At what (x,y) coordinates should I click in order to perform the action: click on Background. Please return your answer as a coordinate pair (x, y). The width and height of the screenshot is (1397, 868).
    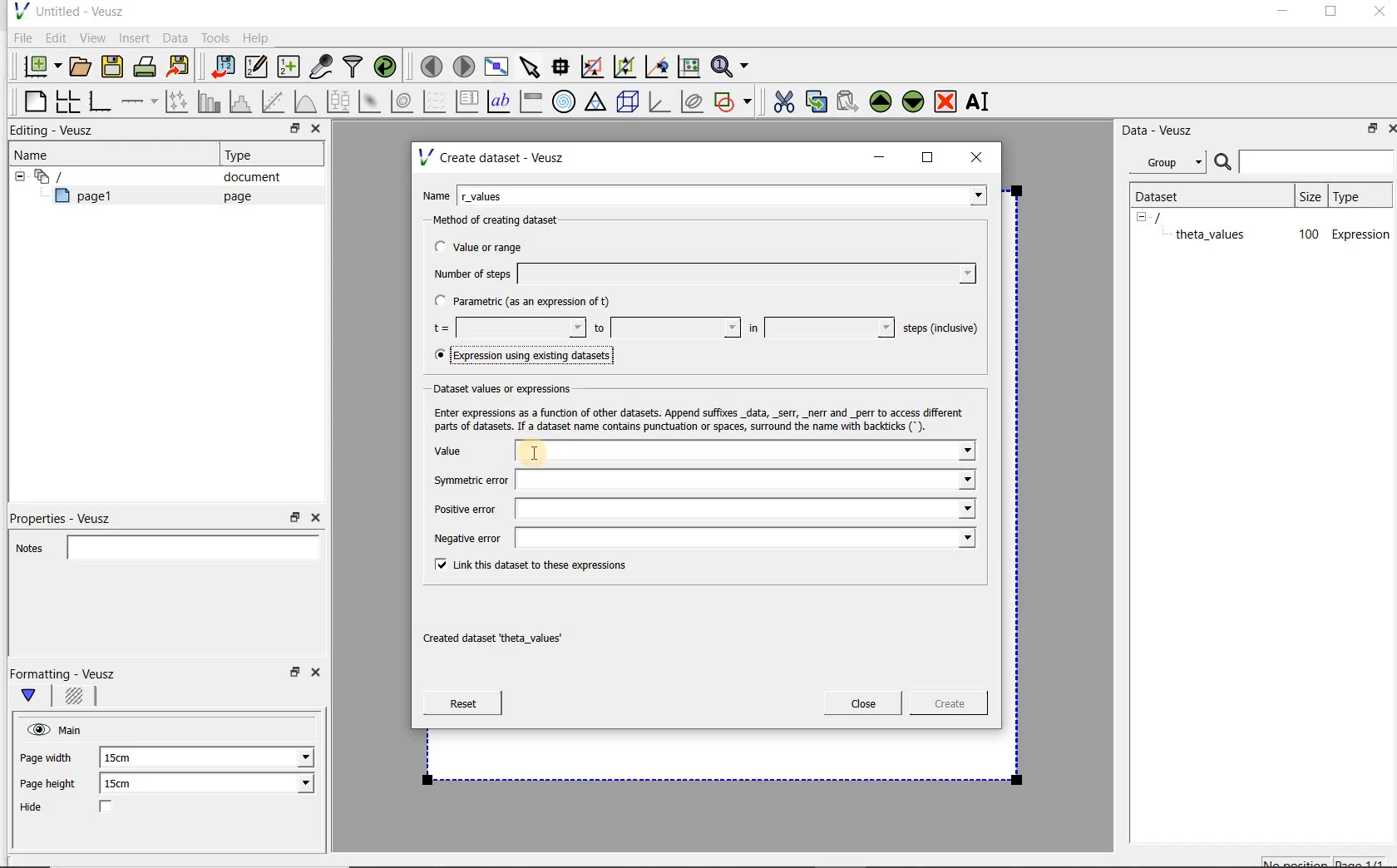
    Looking at the image, I should click on (77, 698).